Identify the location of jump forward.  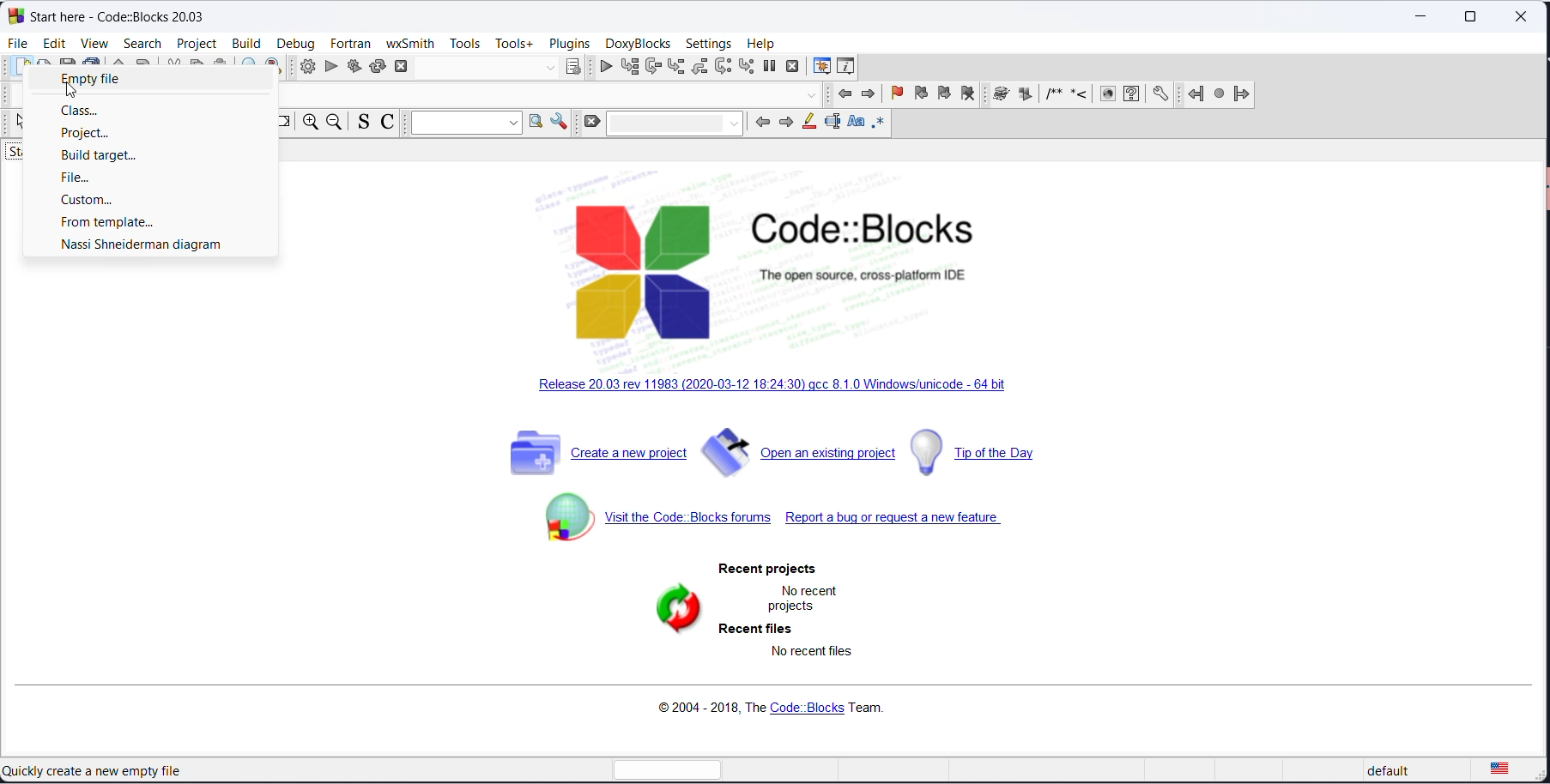
(1244, 97).